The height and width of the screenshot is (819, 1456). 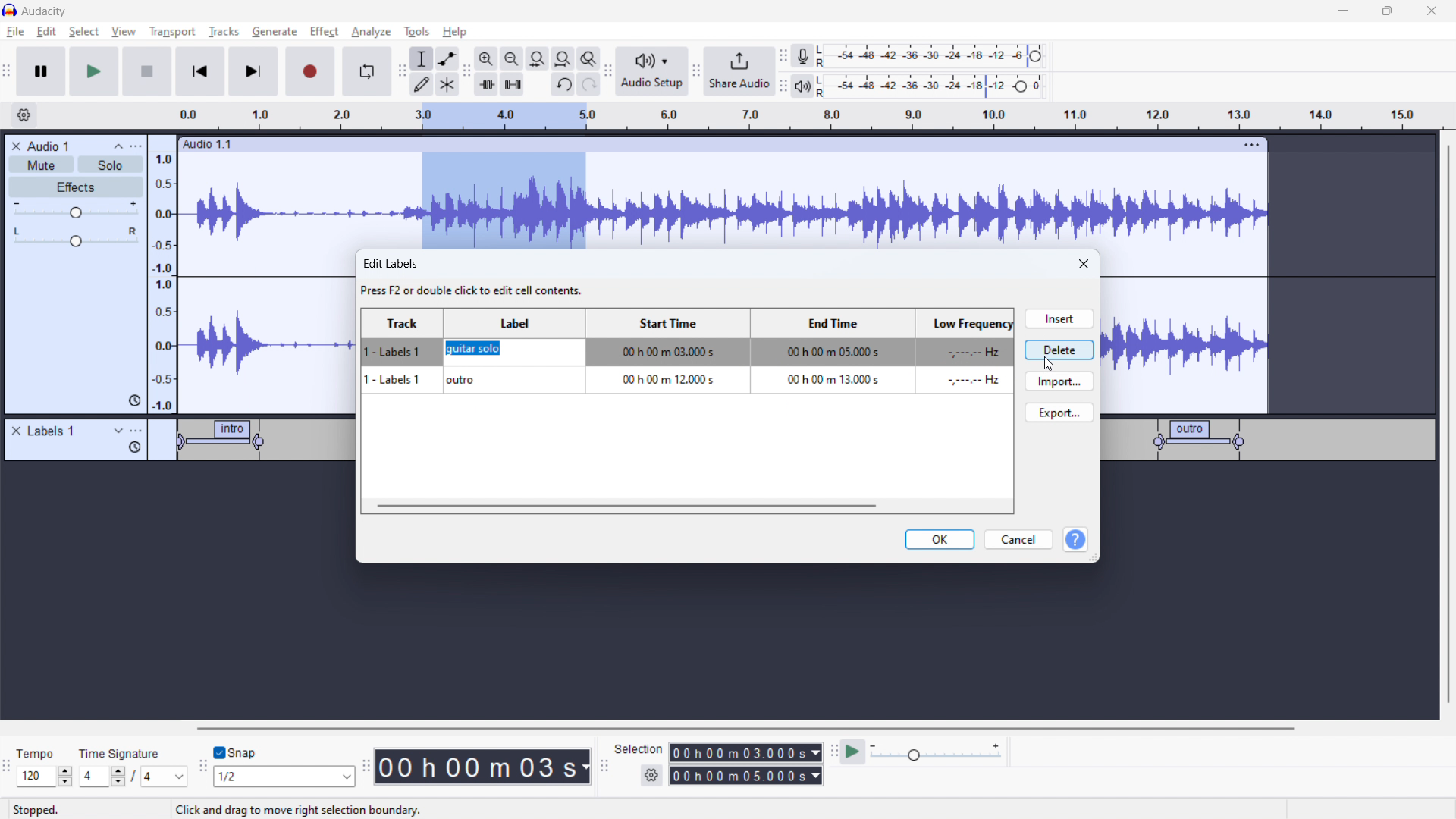 I want to click on timeline, so click(x=180, y=510).